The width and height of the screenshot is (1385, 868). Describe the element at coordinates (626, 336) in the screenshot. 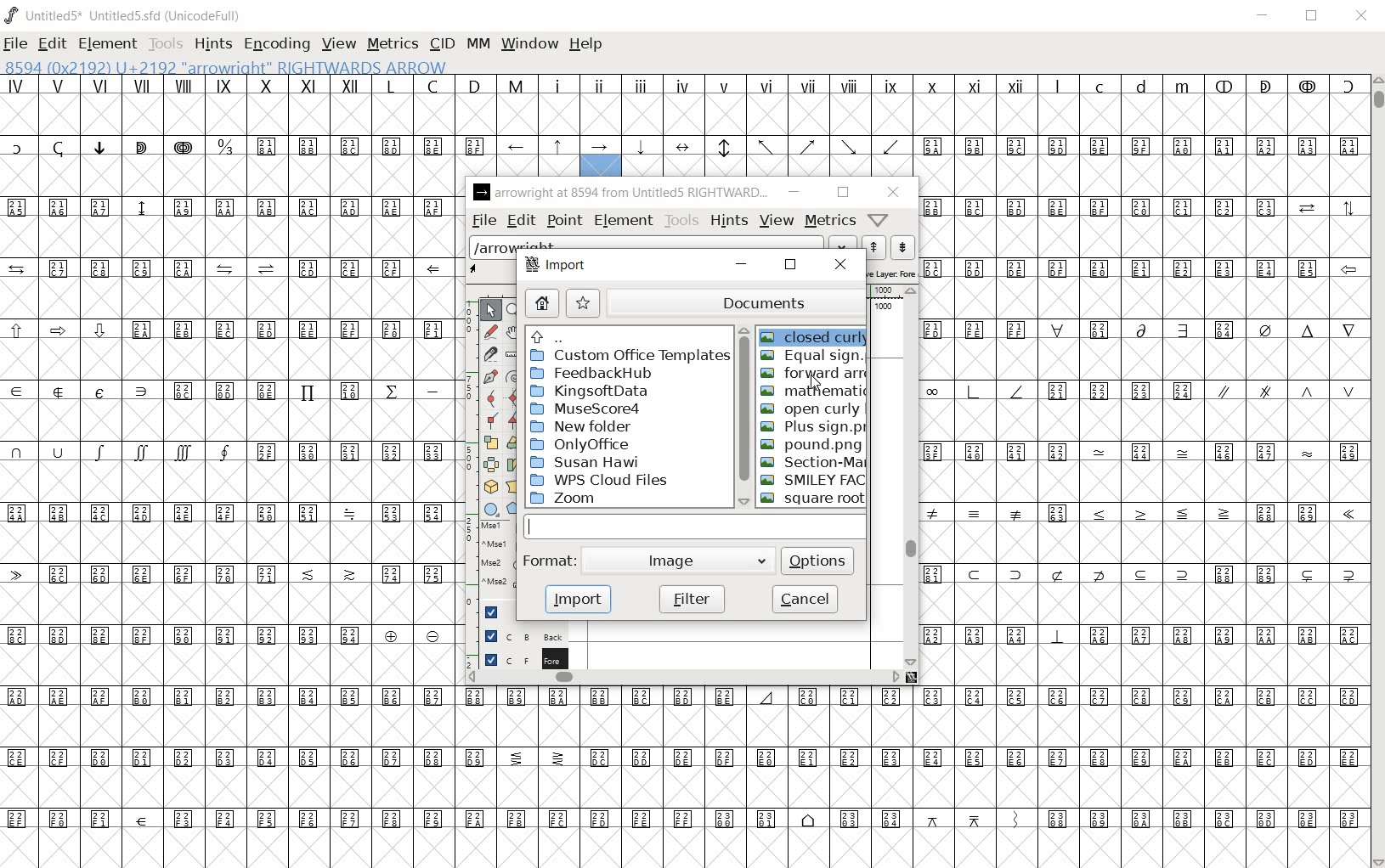

I see `up directories` at that location.